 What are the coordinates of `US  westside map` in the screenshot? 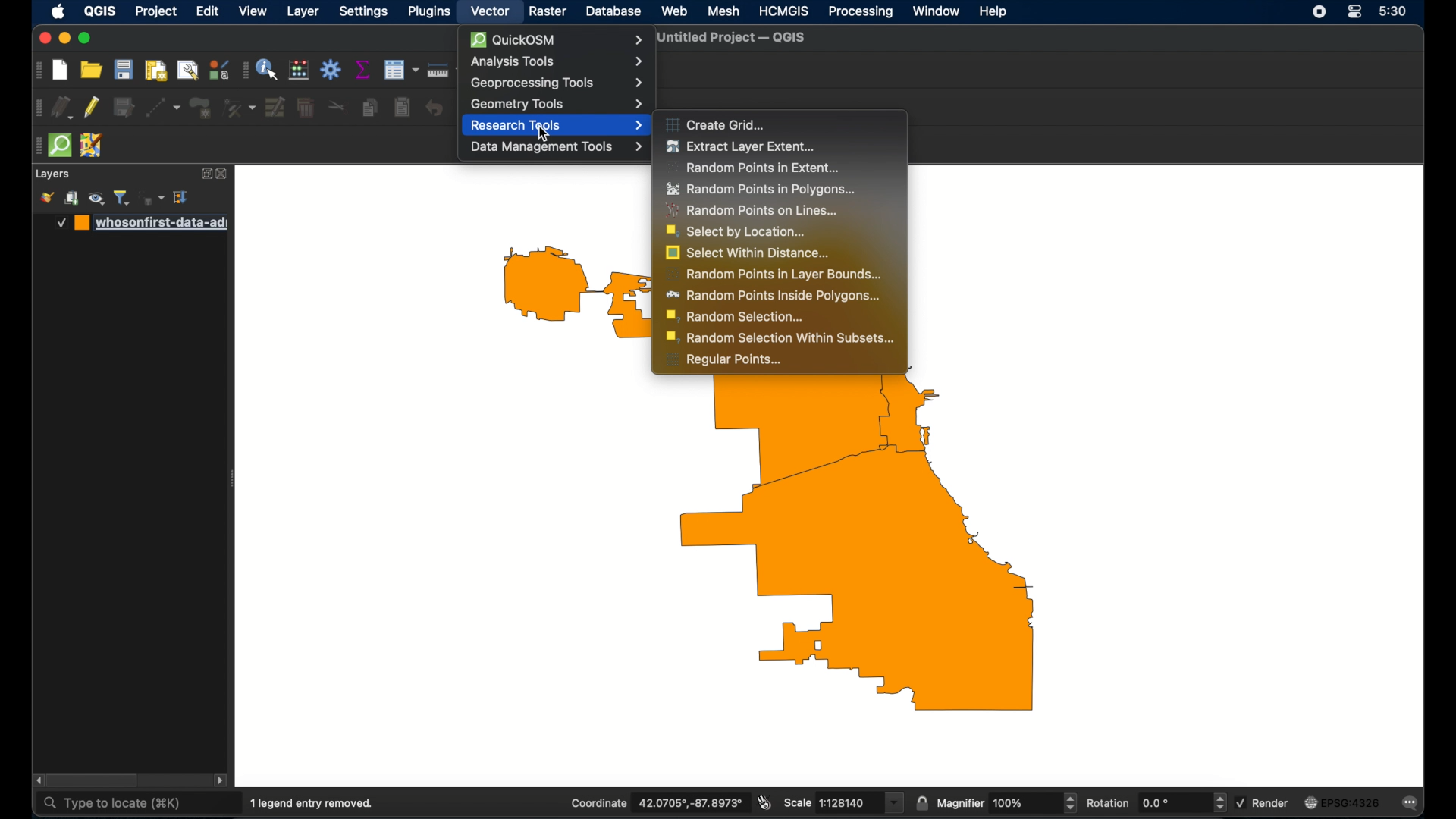 It's located at (782, 555).